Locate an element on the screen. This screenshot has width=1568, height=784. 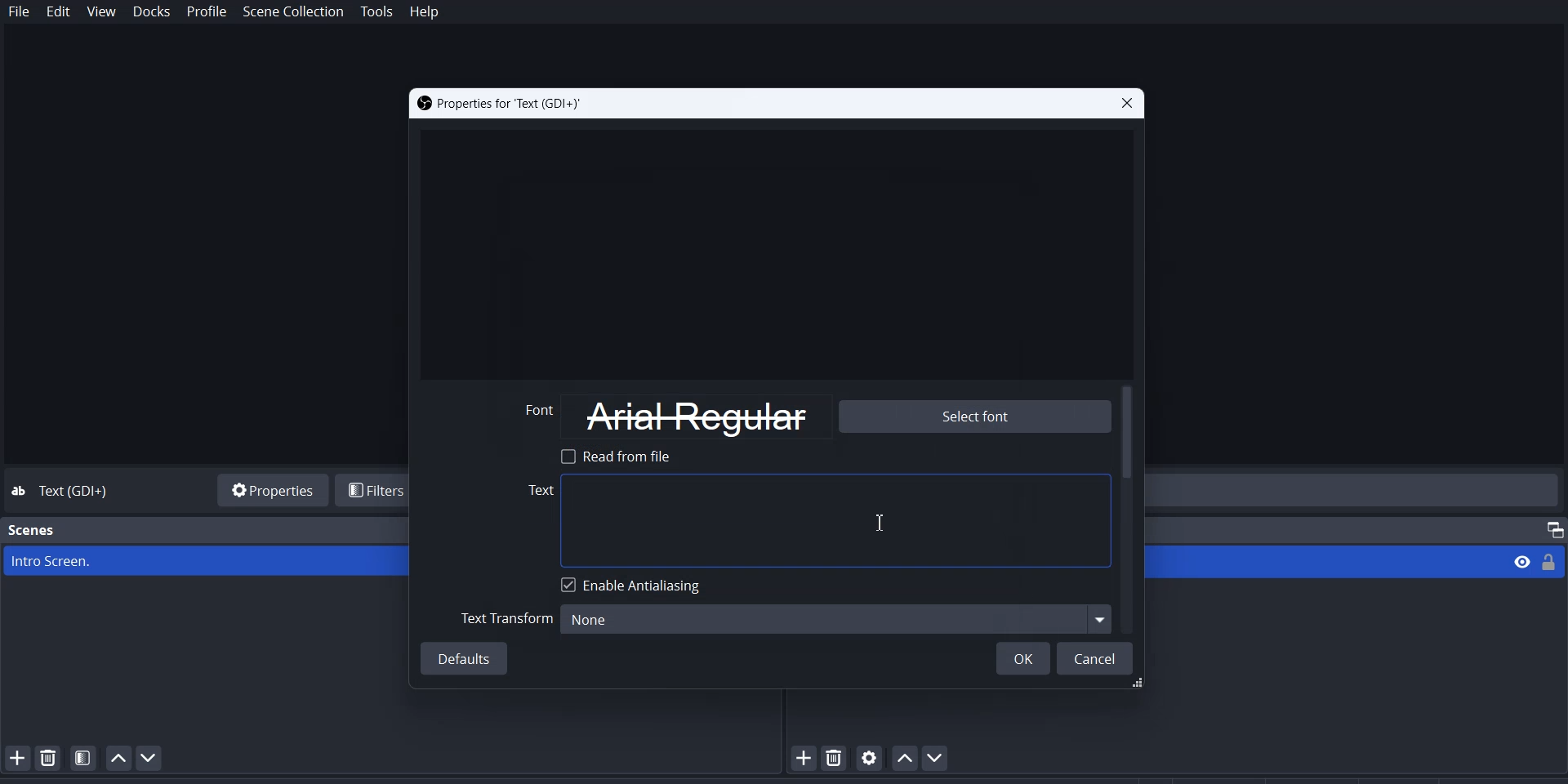
Open Scene Filter is located at coordinates (83, 757).